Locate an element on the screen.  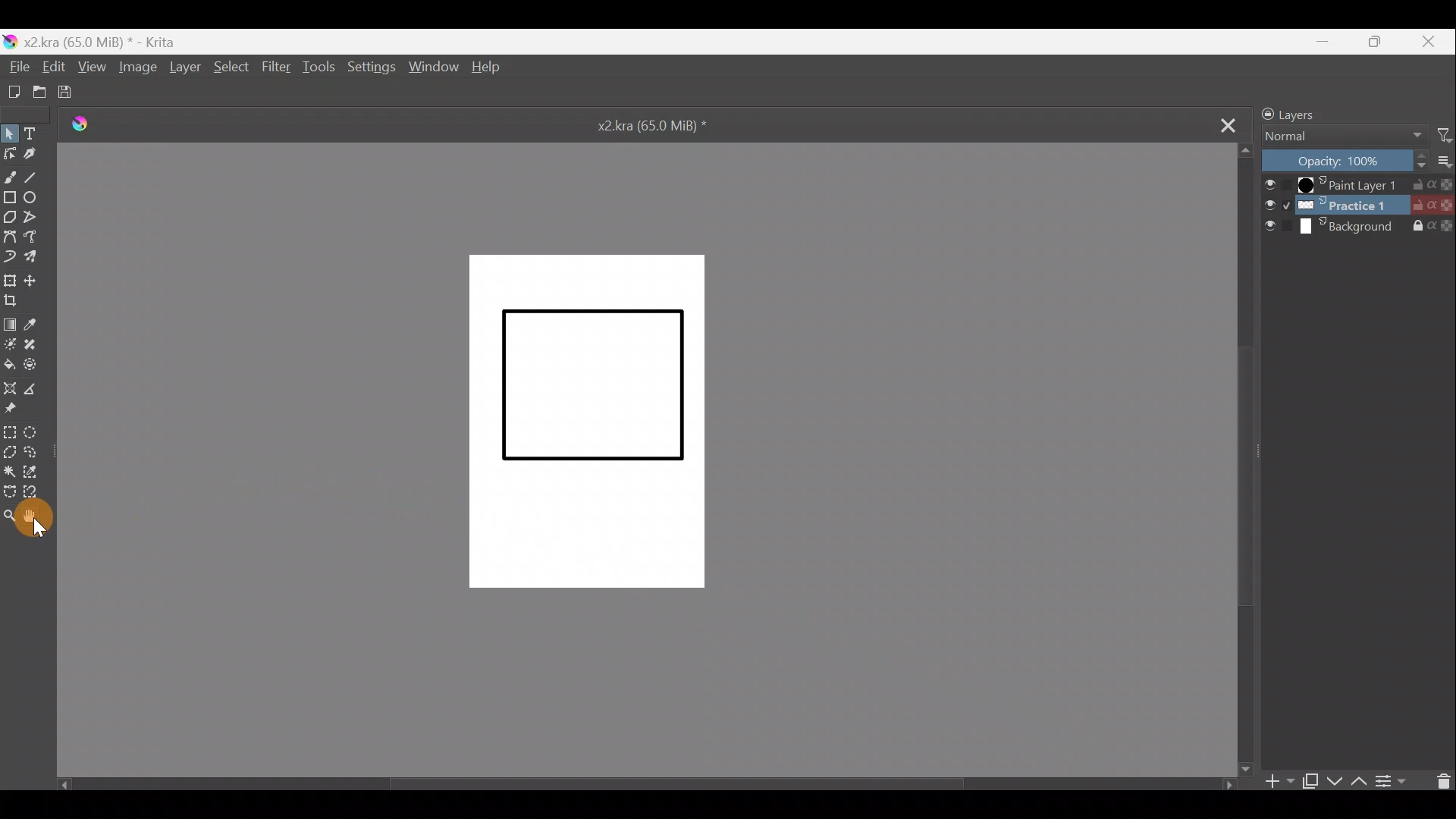
) x2kra (65.0 MiB) * - Krita is located at coordinates (96, 42).